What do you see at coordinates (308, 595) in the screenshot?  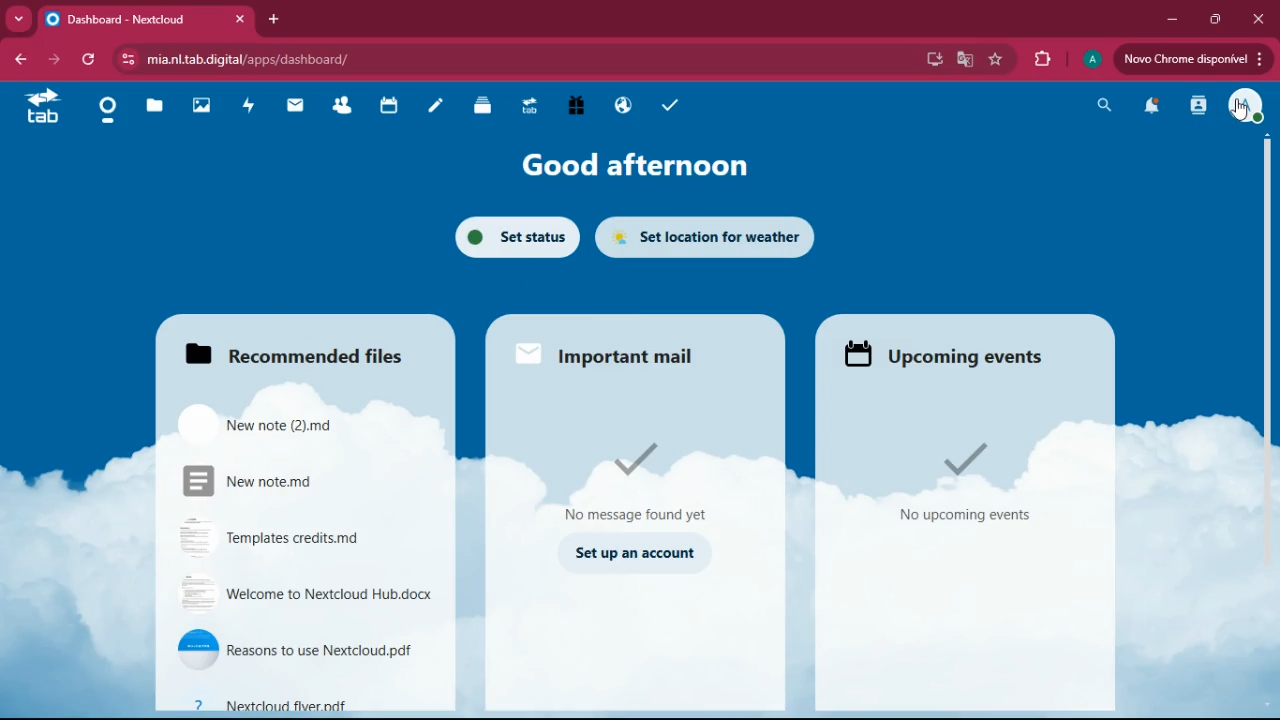 I see `file` at bounding box center [308, 595].